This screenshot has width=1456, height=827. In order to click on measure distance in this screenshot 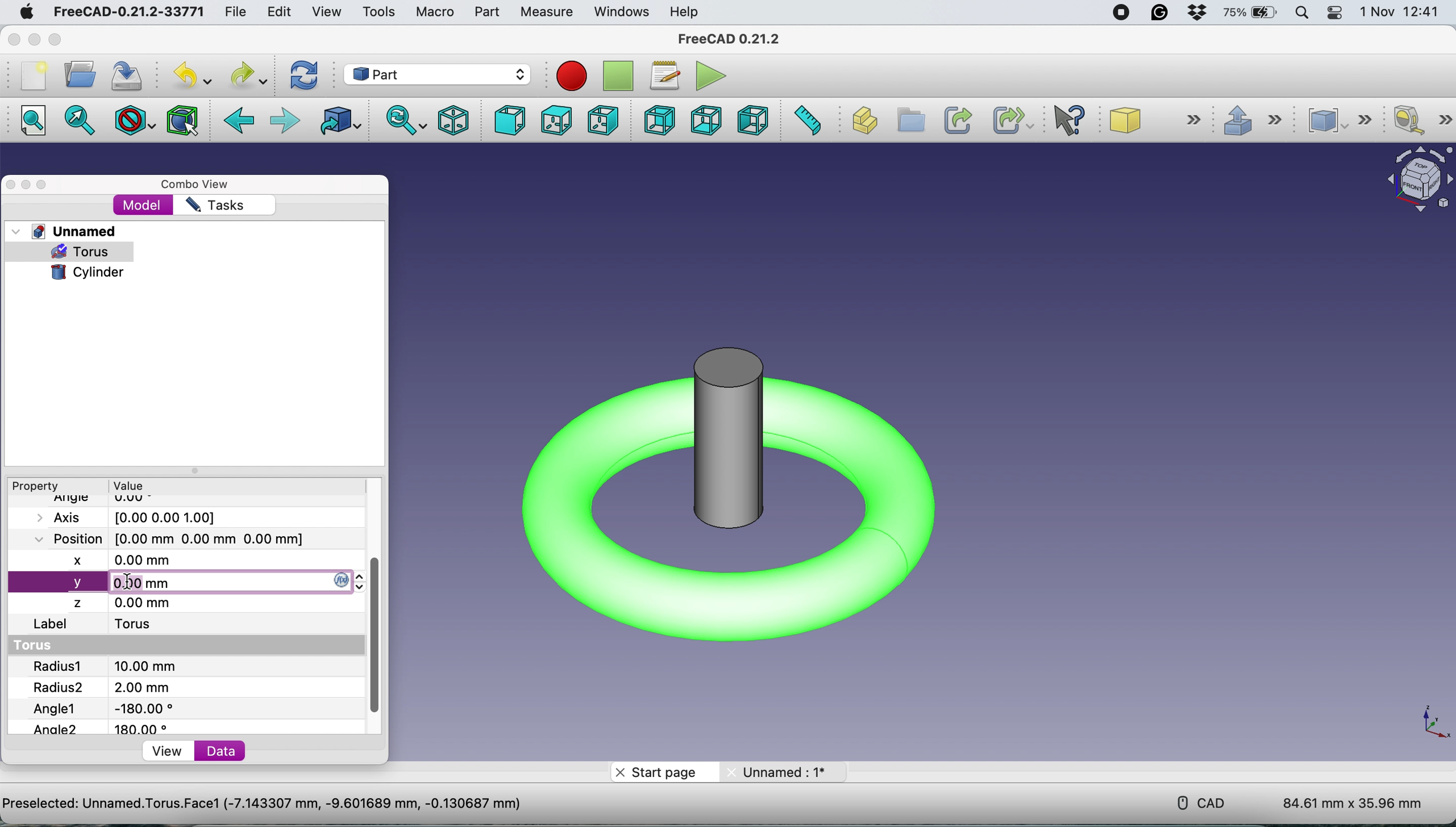, I will do `click(809, 120)`.